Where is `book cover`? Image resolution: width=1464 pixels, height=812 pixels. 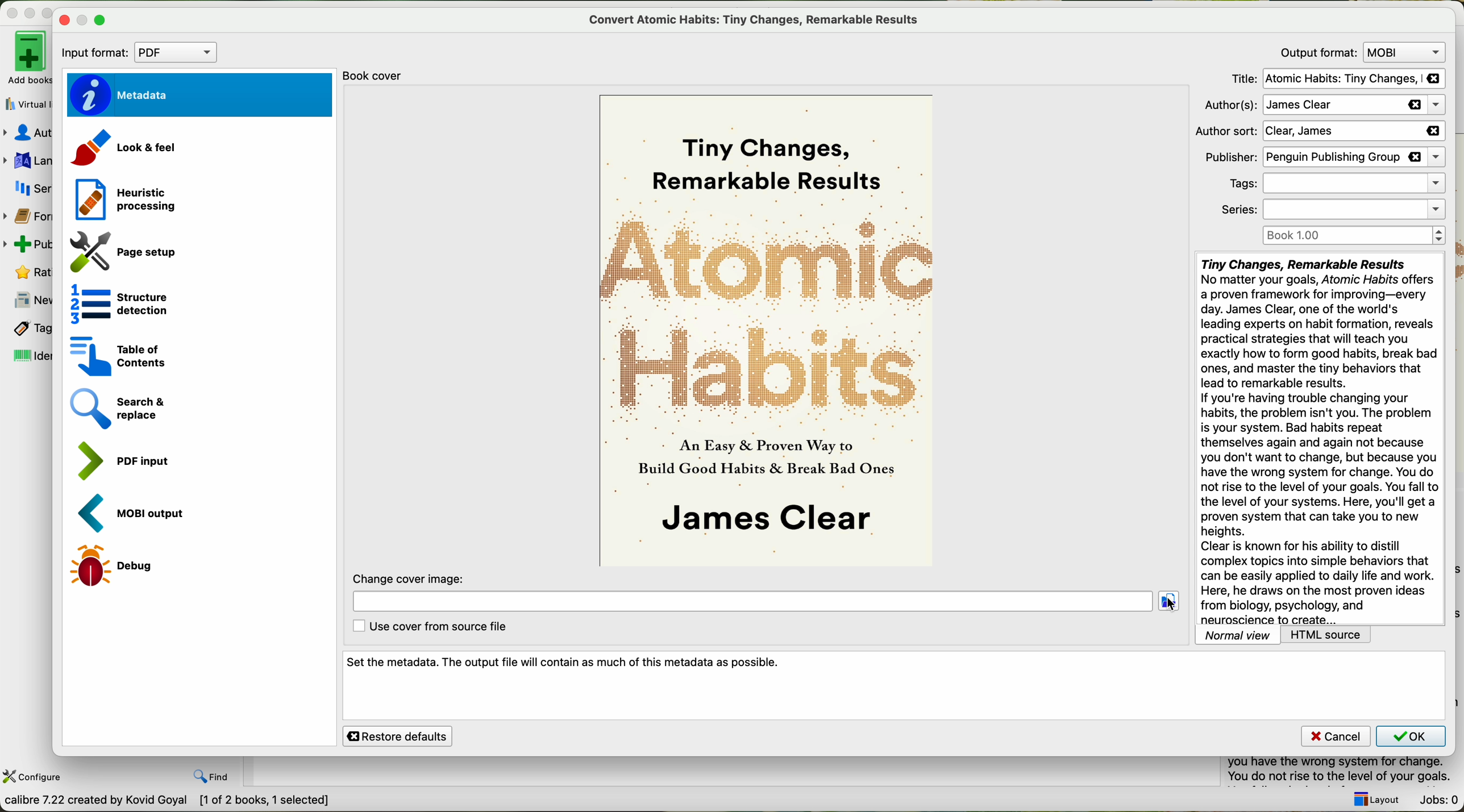
book cover is located at coordinates (767, 330).